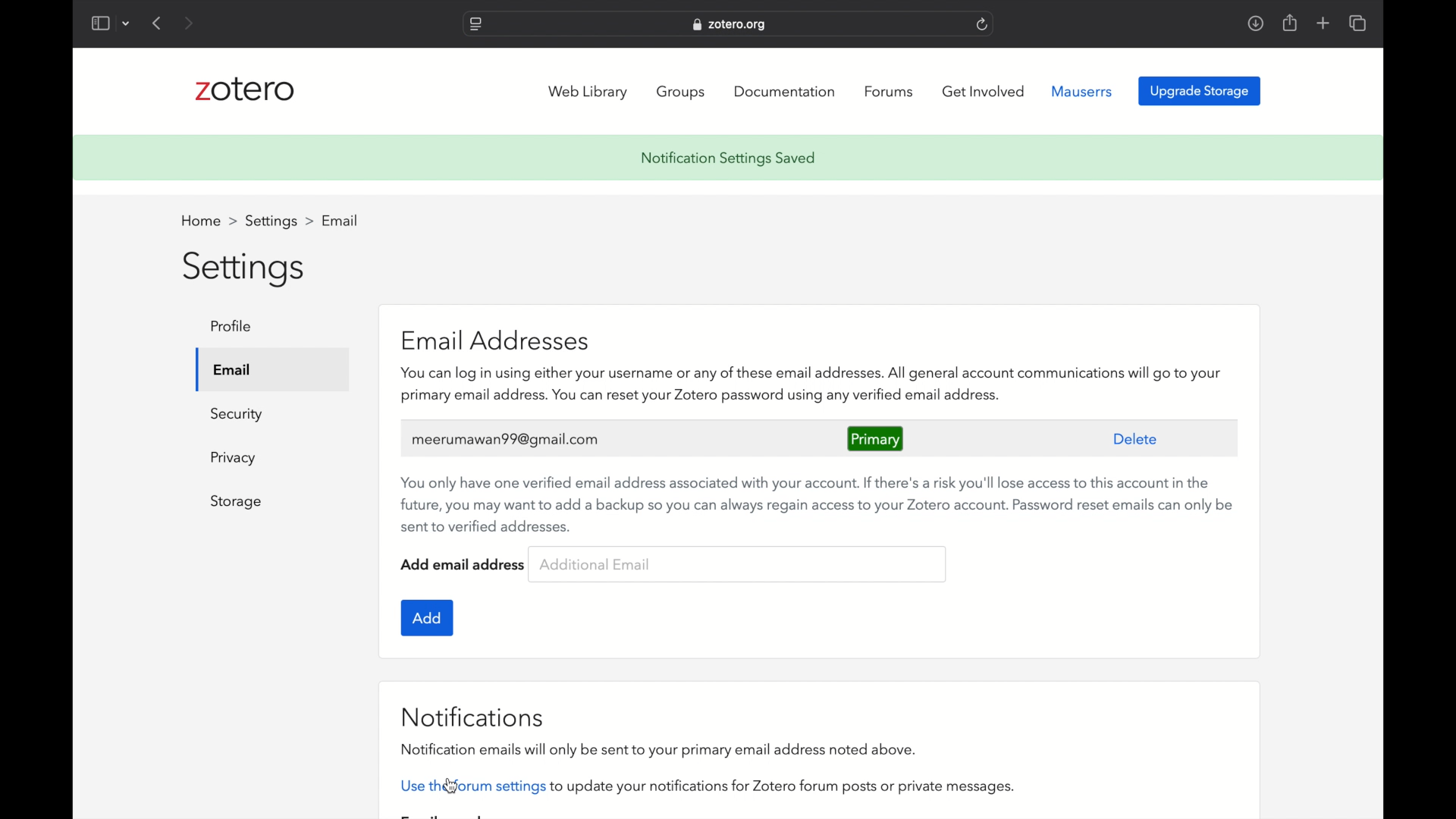 The width and height of the screenshot is (1456, 819). Describe the element at coordinates (238, 416) in the screenshot. I see `eccurity` at that location.